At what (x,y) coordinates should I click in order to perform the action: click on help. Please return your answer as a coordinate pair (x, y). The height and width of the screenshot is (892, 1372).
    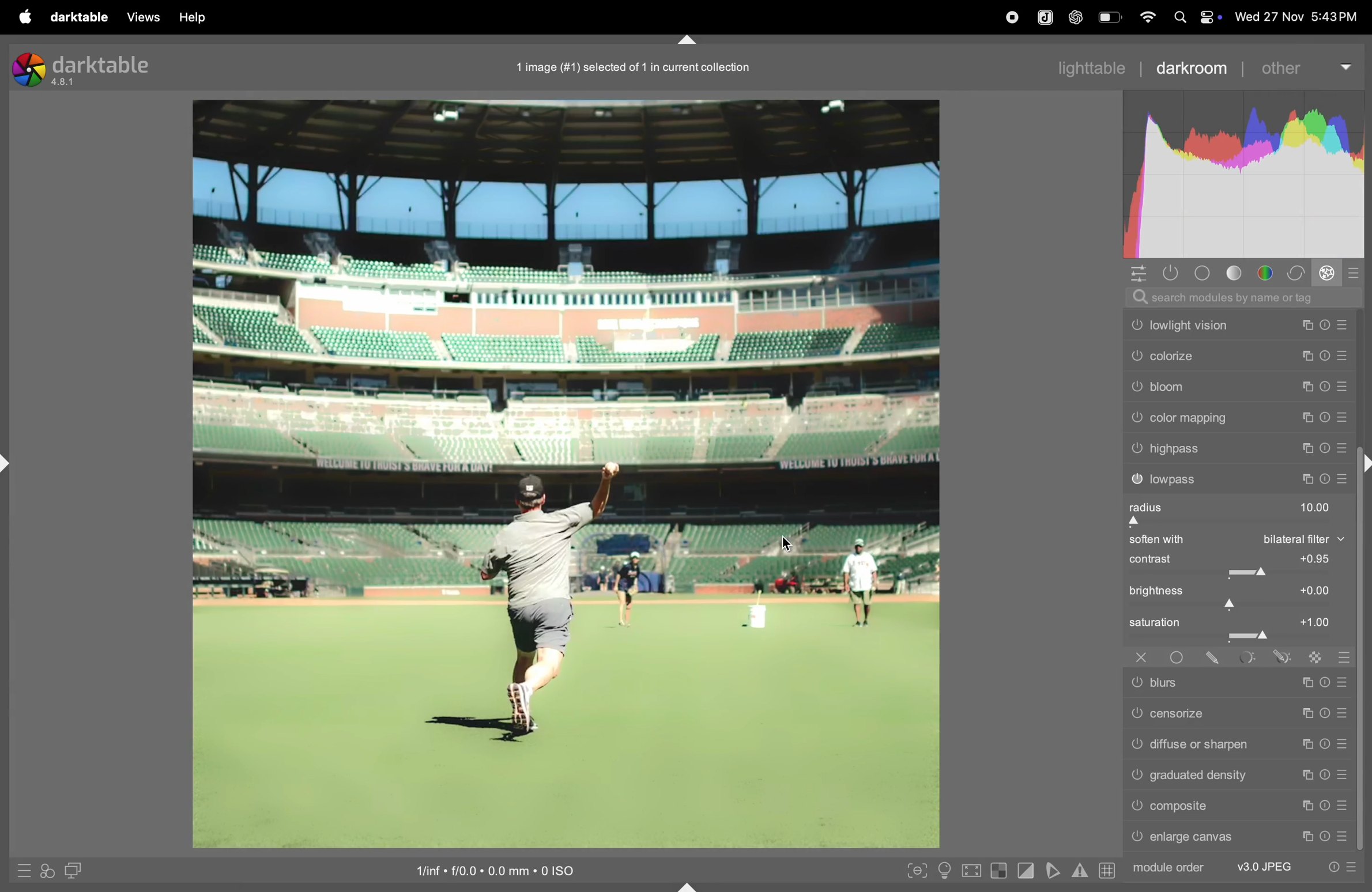
    Looking at the image, I should click on (191, 18).